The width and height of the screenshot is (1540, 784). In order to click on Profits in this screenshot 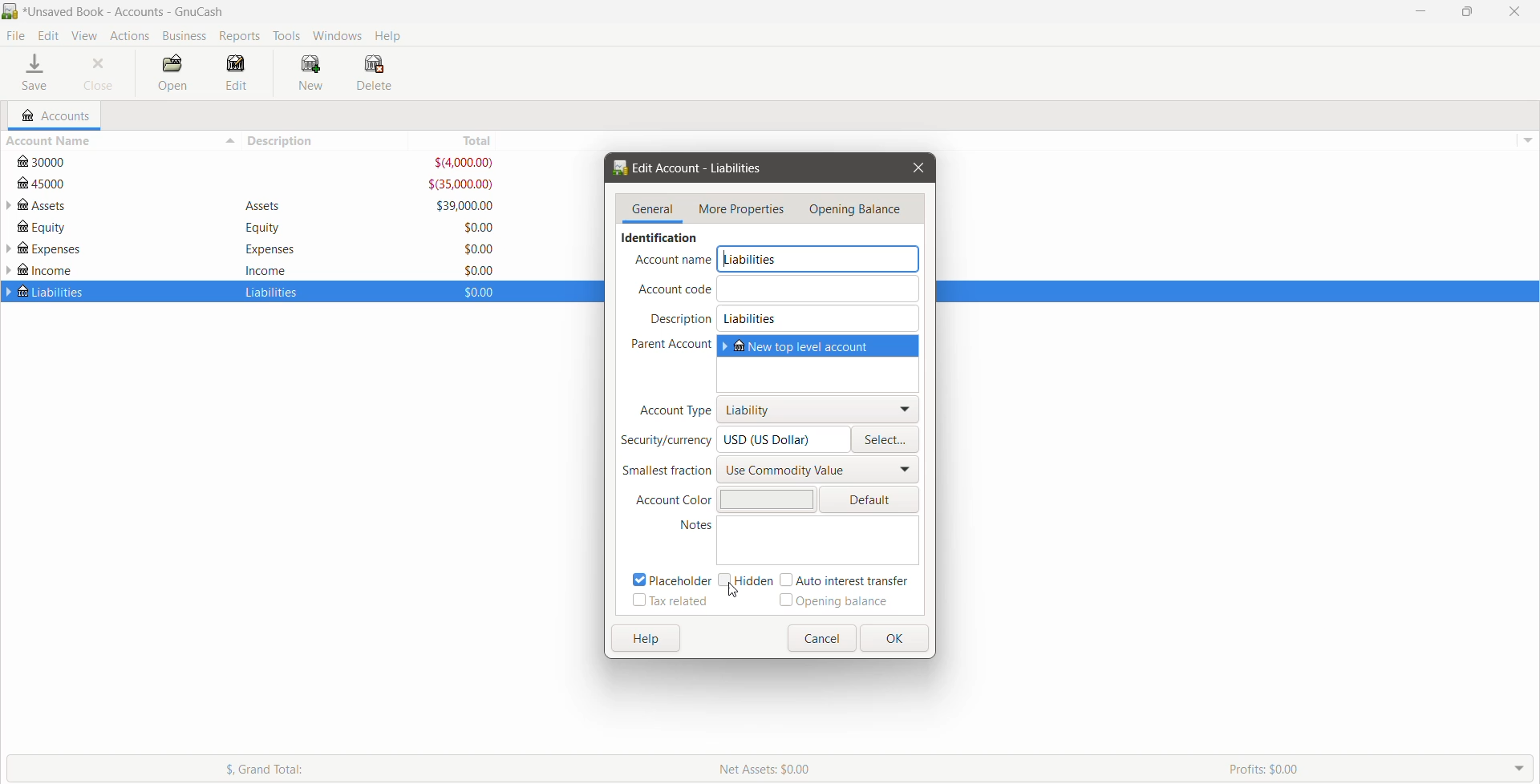, I will do `click(1380, 768)`.